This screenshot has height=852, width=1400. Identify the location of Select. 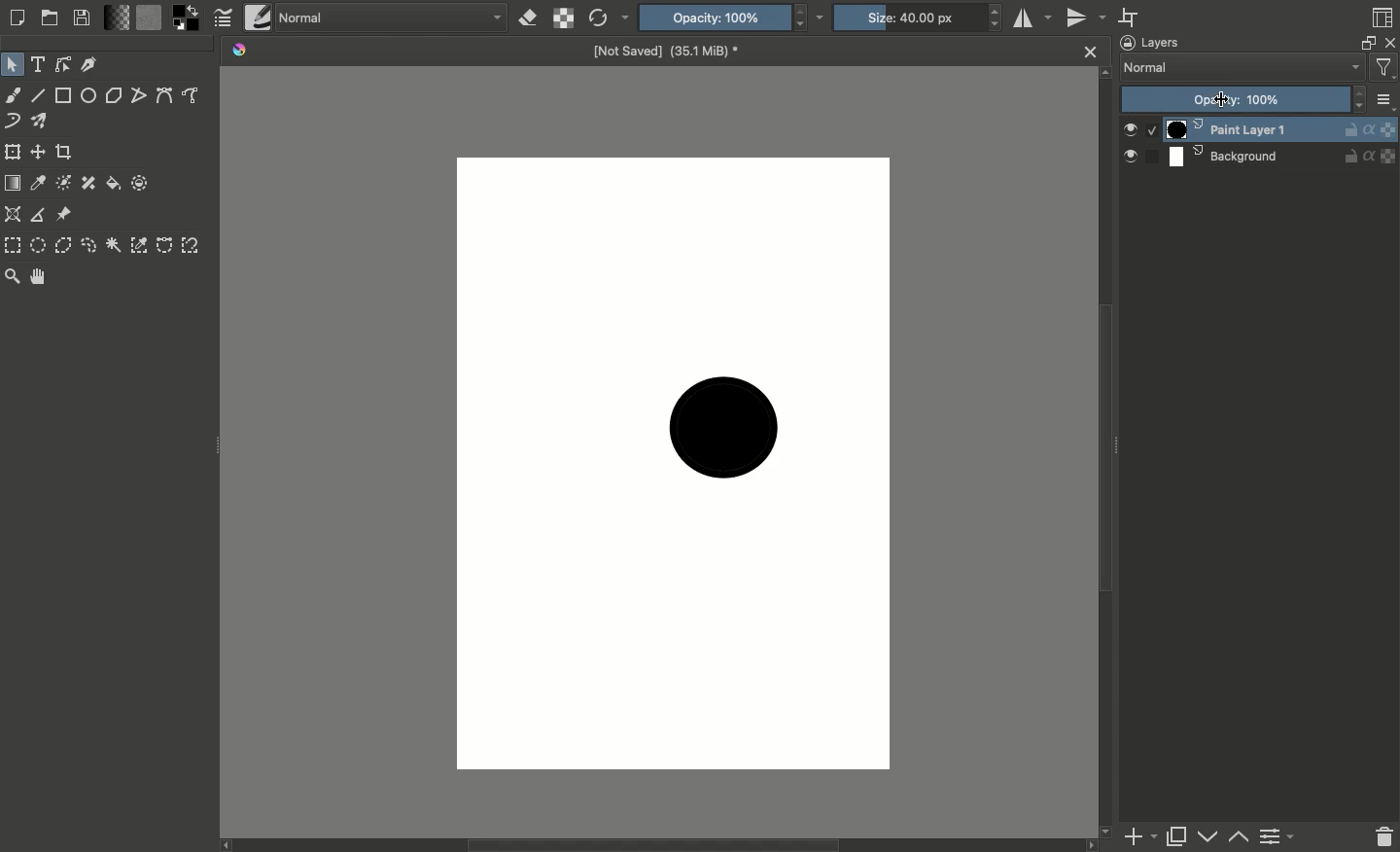
(14, 64).